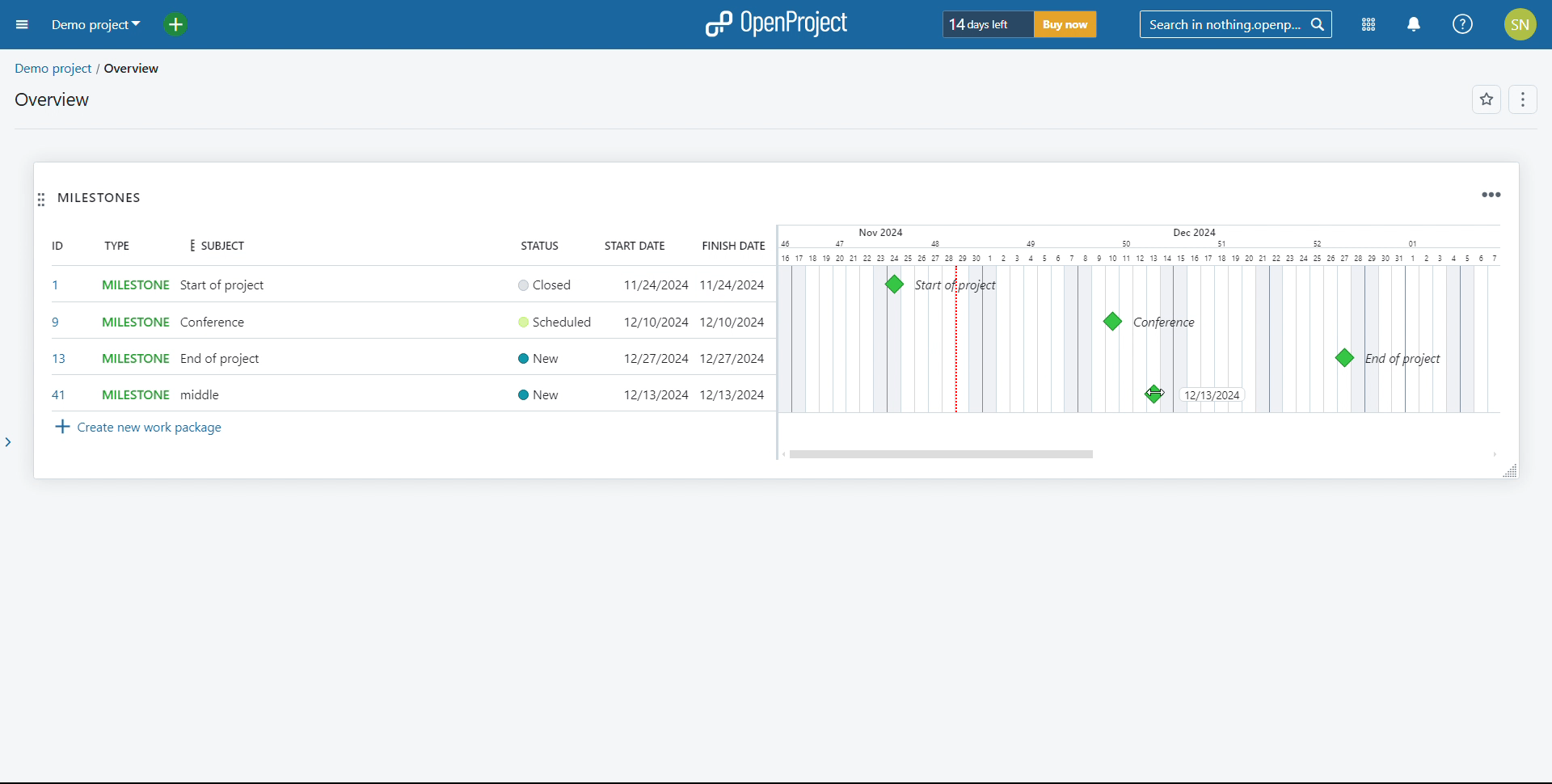  What do you see at coordinates (23, 25) in the screenshot?
I see `open sidebar menu` at bounding box center [23, 25].